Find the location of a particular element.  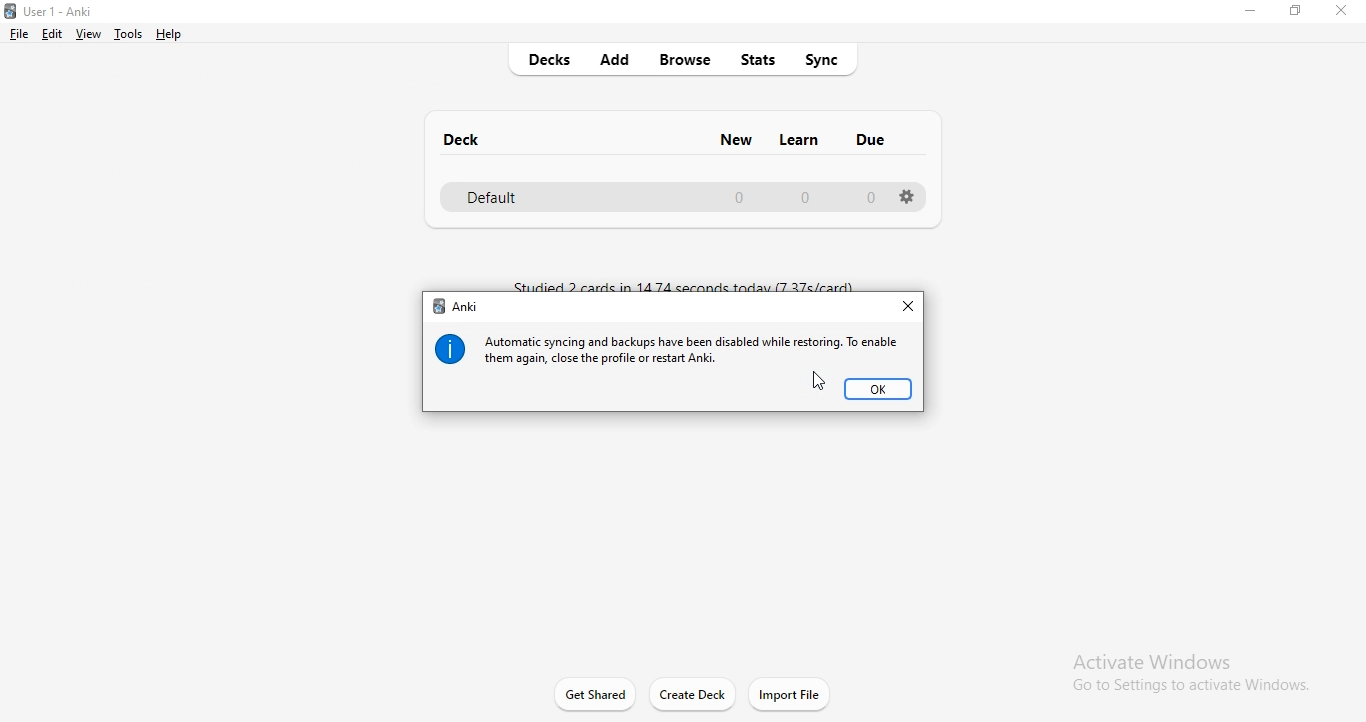

decks is located at coordinates (556, 60).